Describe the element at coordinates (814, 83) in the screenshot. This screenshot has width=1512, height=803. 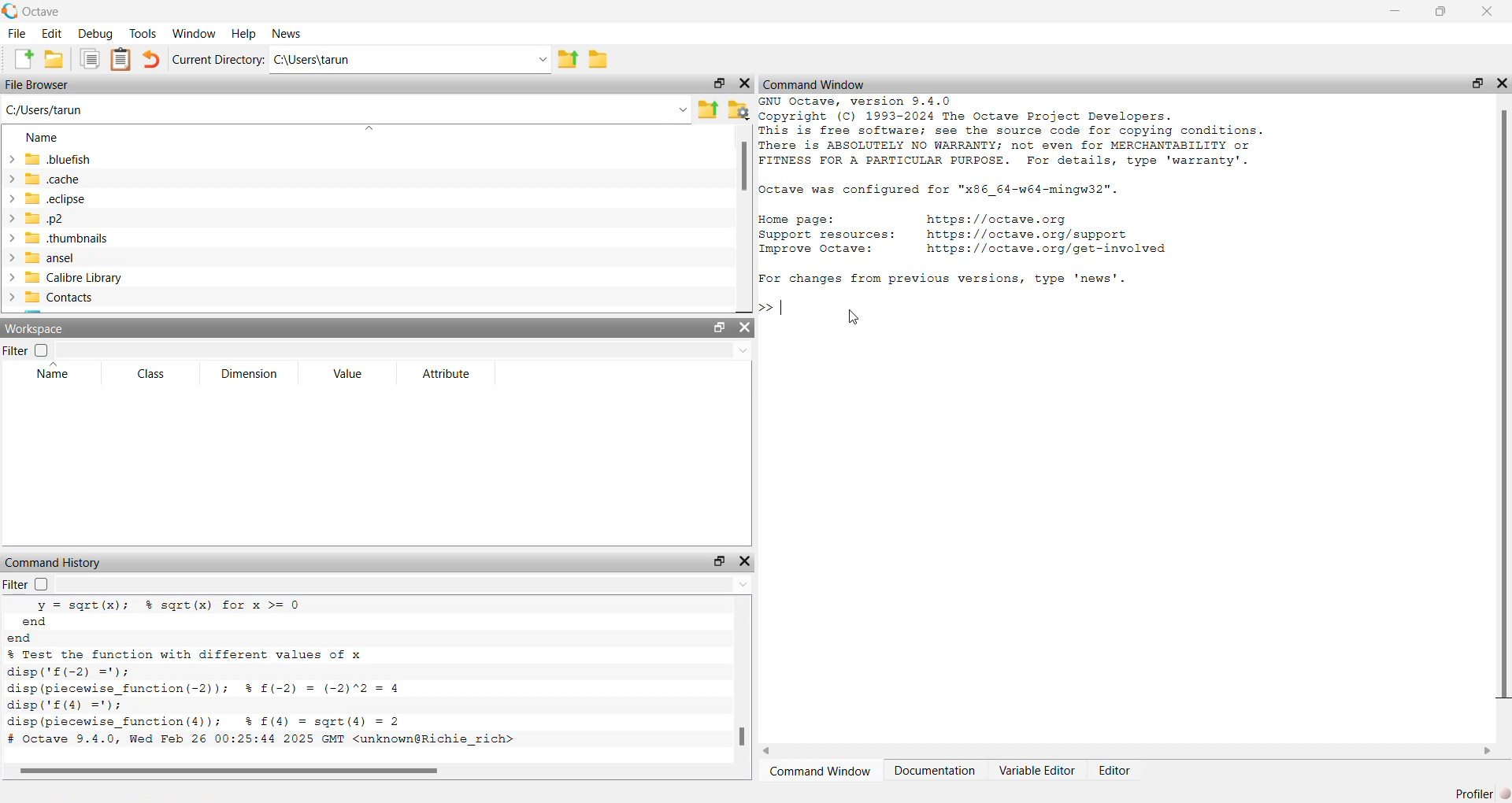
I see `Command Window` at that location.